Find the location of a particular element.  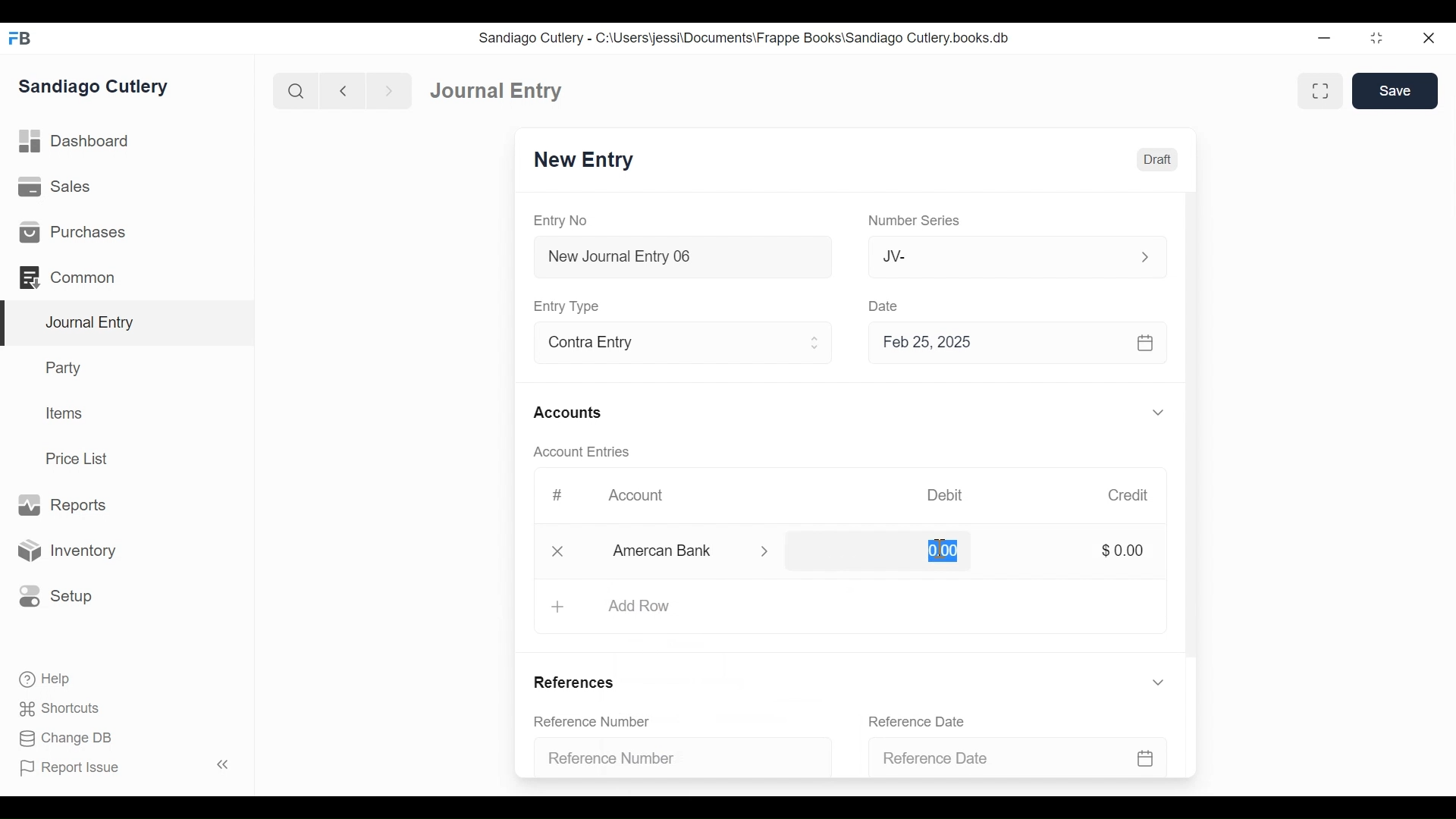

text Cursor is located at coordinates (936, 552).